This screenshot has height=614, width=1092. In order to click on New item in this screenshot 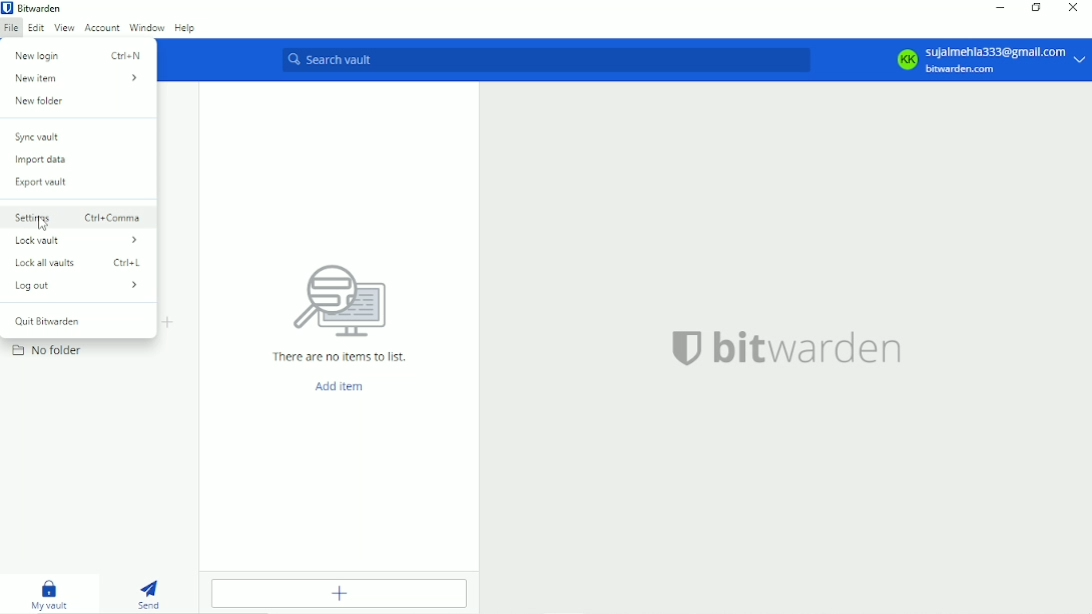, I will do `click(77, 78)`.